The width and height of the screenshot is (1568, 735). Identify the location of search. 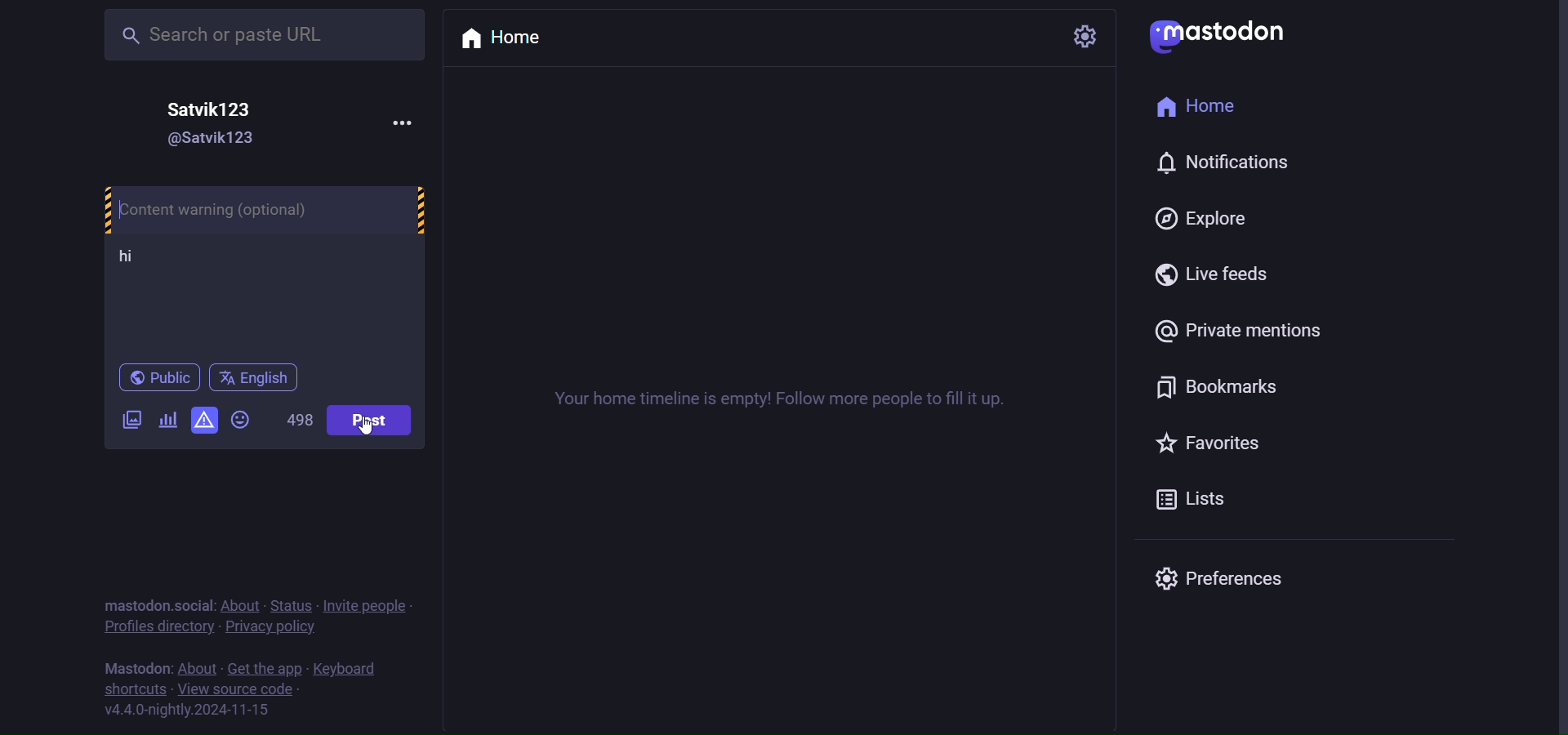
(244, 34).